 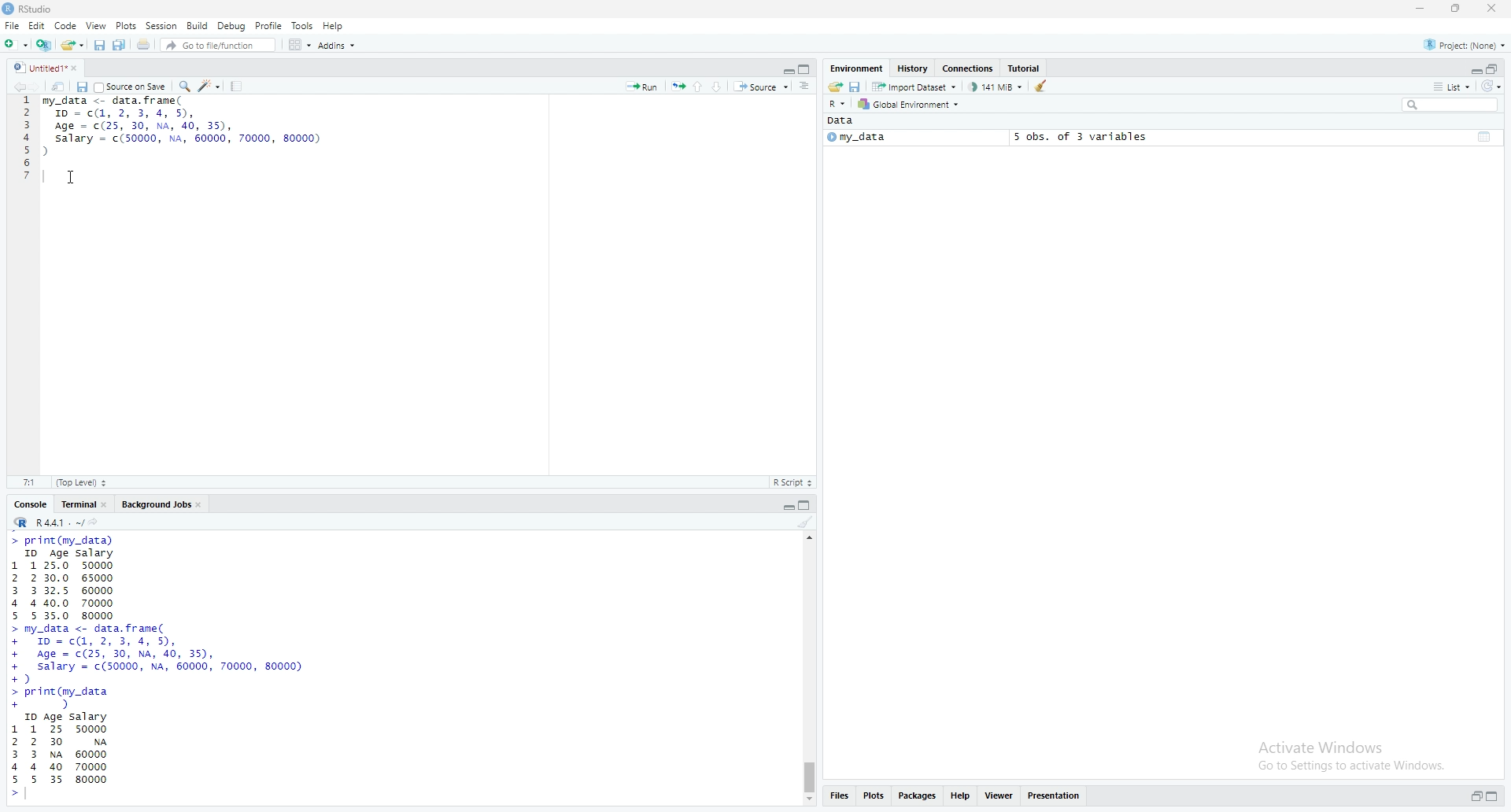 I want to click on untitled1, so click(x=45, y=67).